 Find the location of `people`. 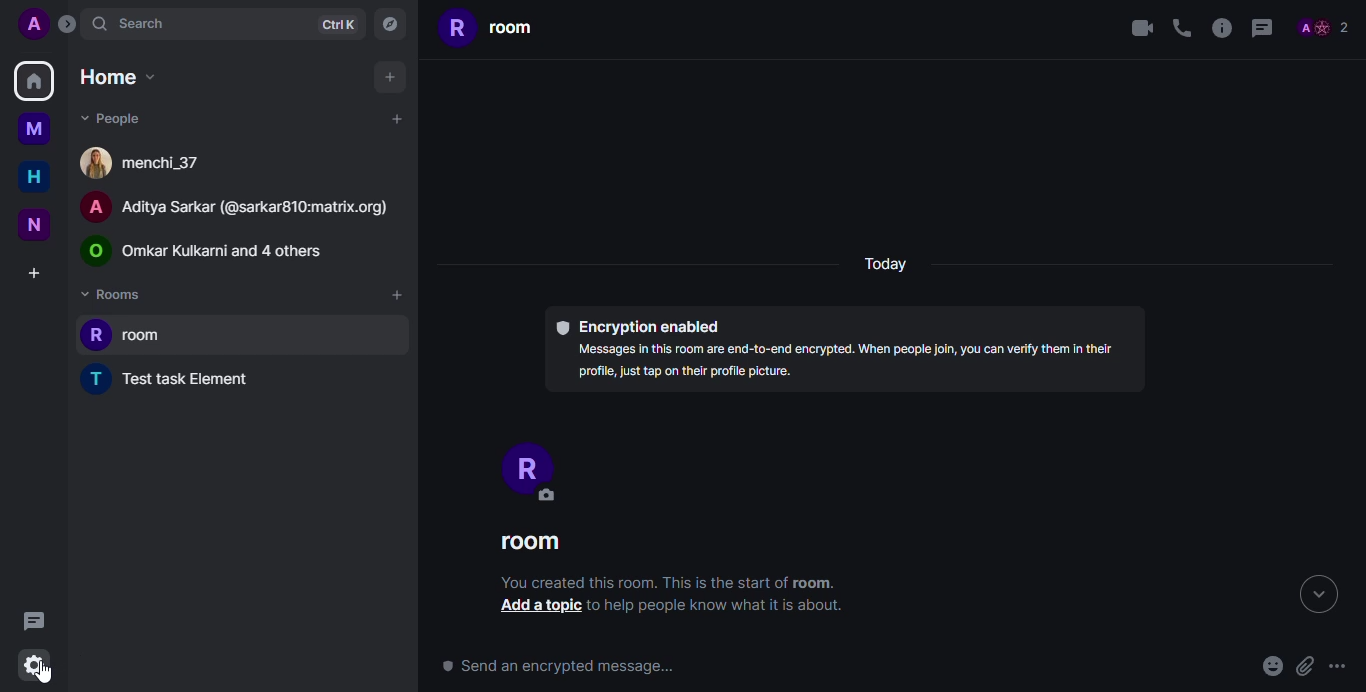

people is located at coordinates (1322, 25).